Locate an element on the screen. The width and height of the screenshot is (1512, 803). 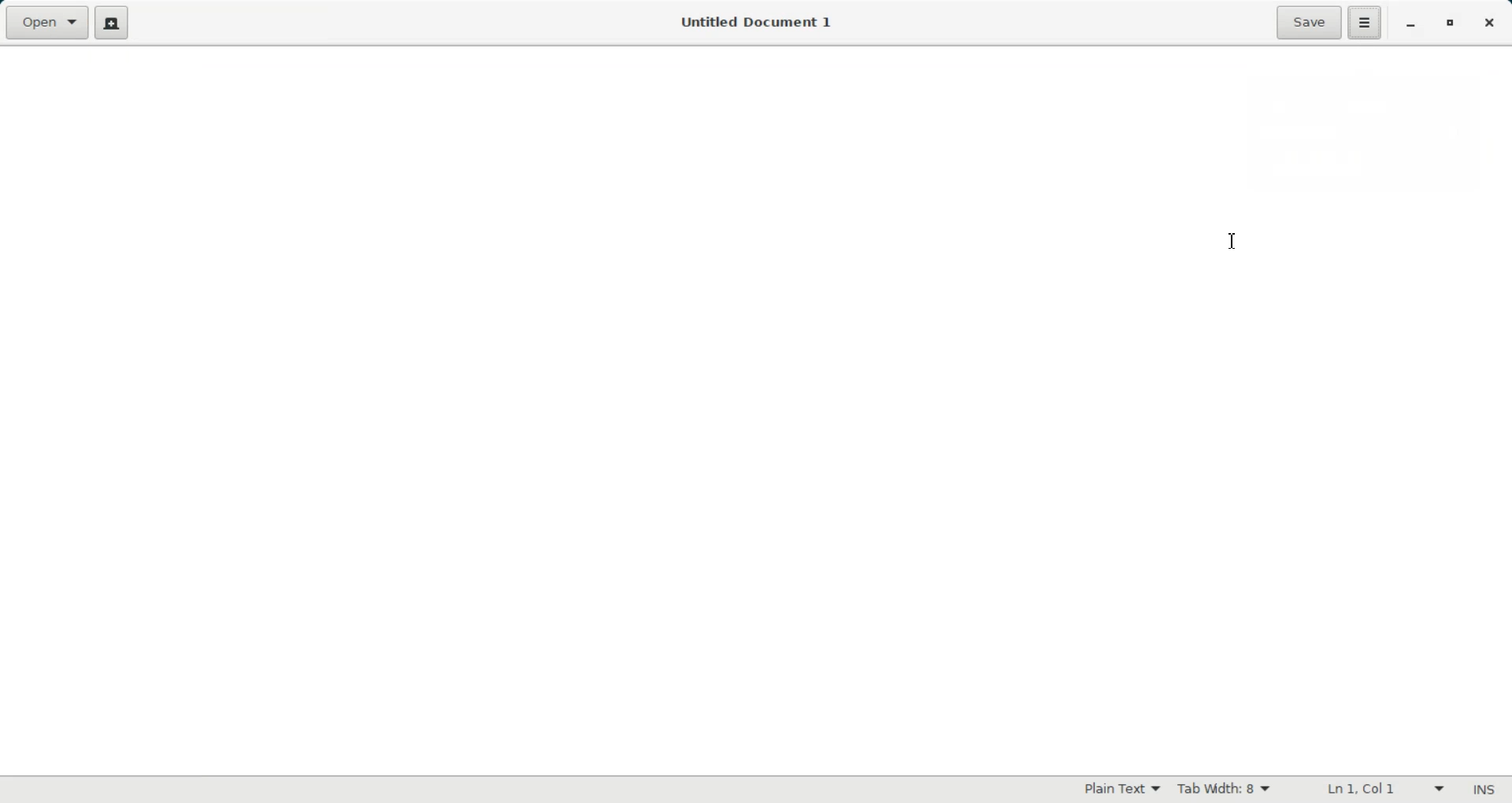
Insert is located at coordinates (1484, 789).